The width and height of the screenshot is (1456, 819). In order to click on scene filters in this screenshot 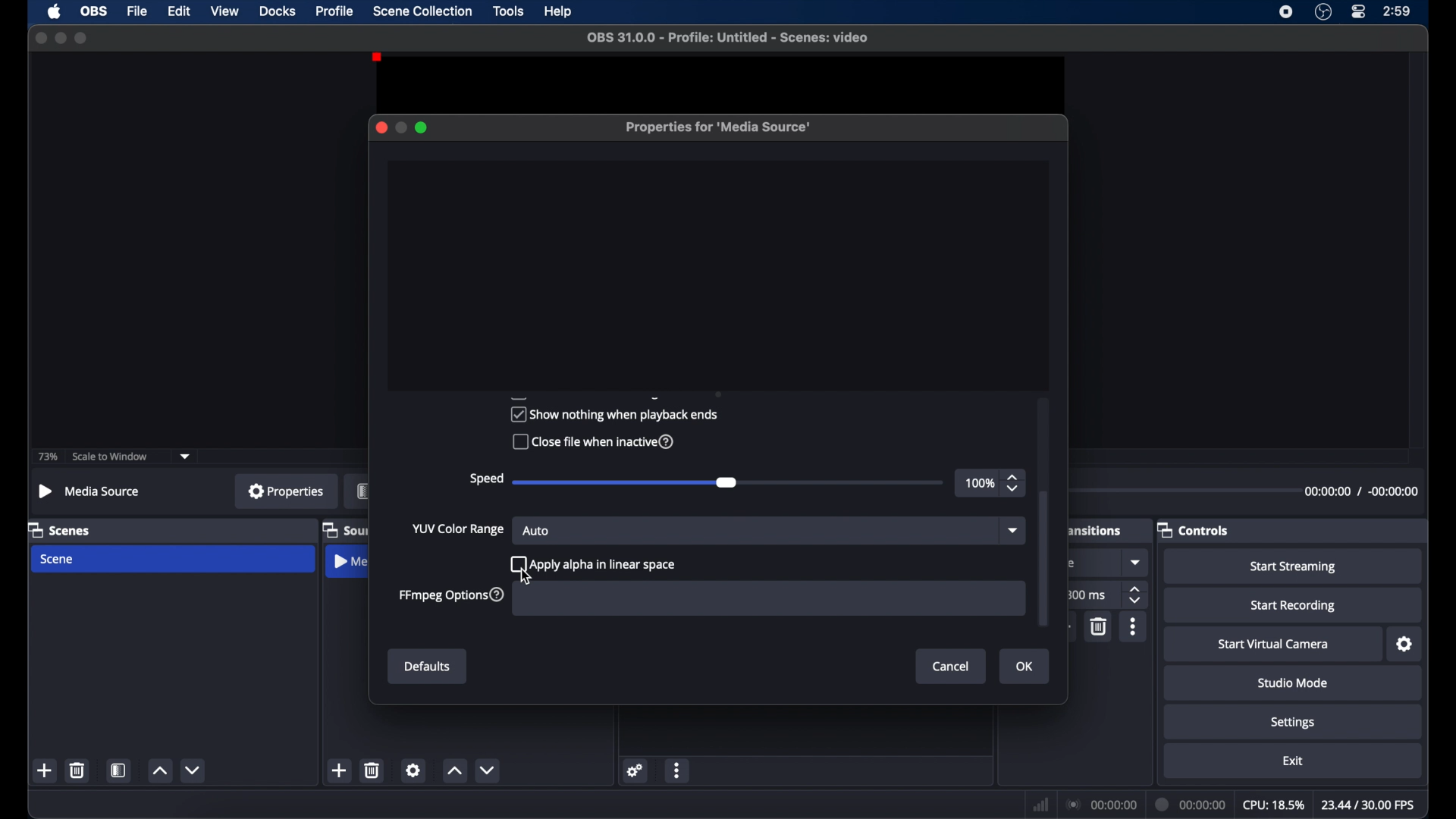, I will do `click(118, 770)`.